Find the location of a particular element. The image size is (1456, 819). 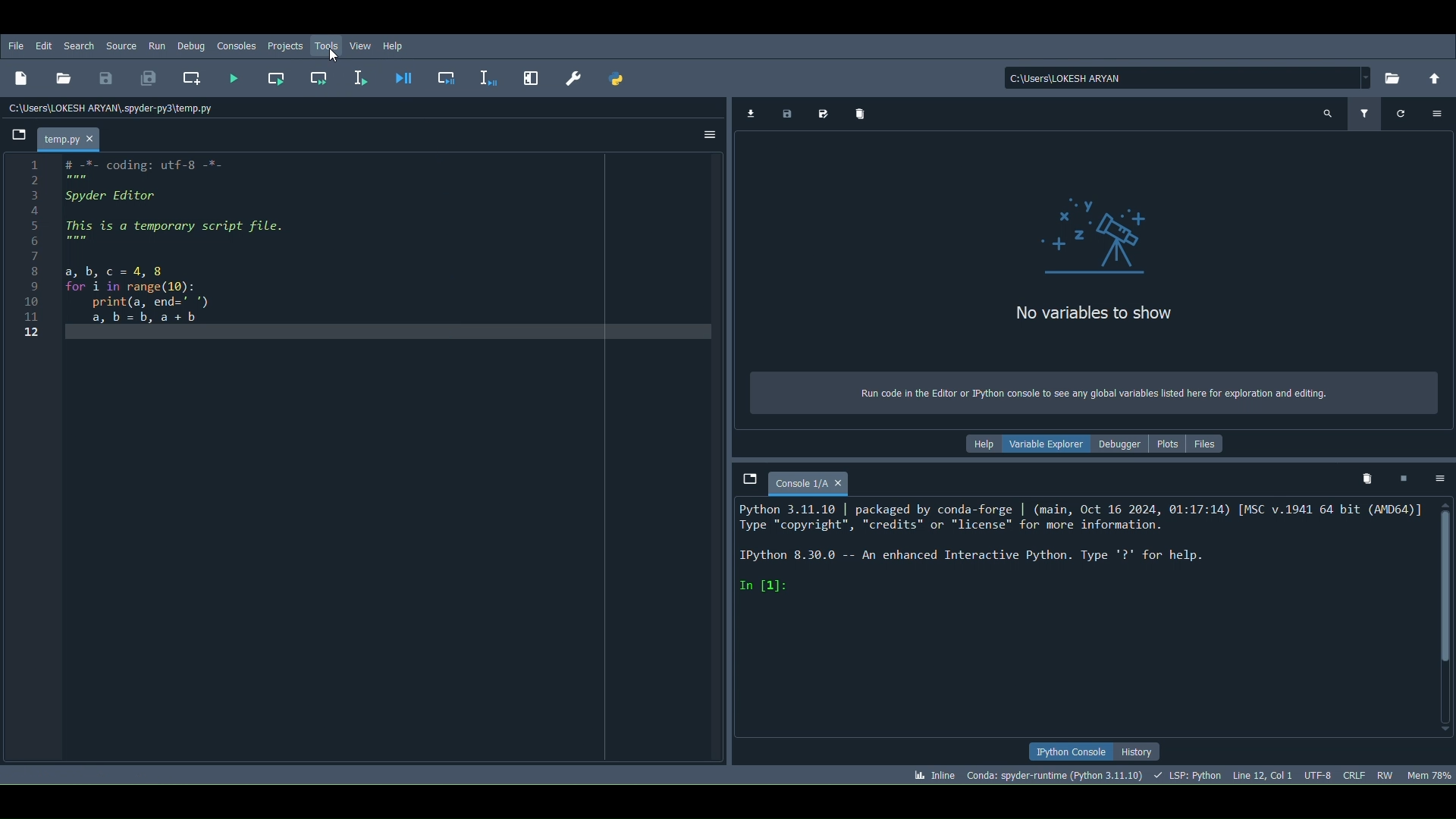

Encoding is located at coordinates (1316, 774).